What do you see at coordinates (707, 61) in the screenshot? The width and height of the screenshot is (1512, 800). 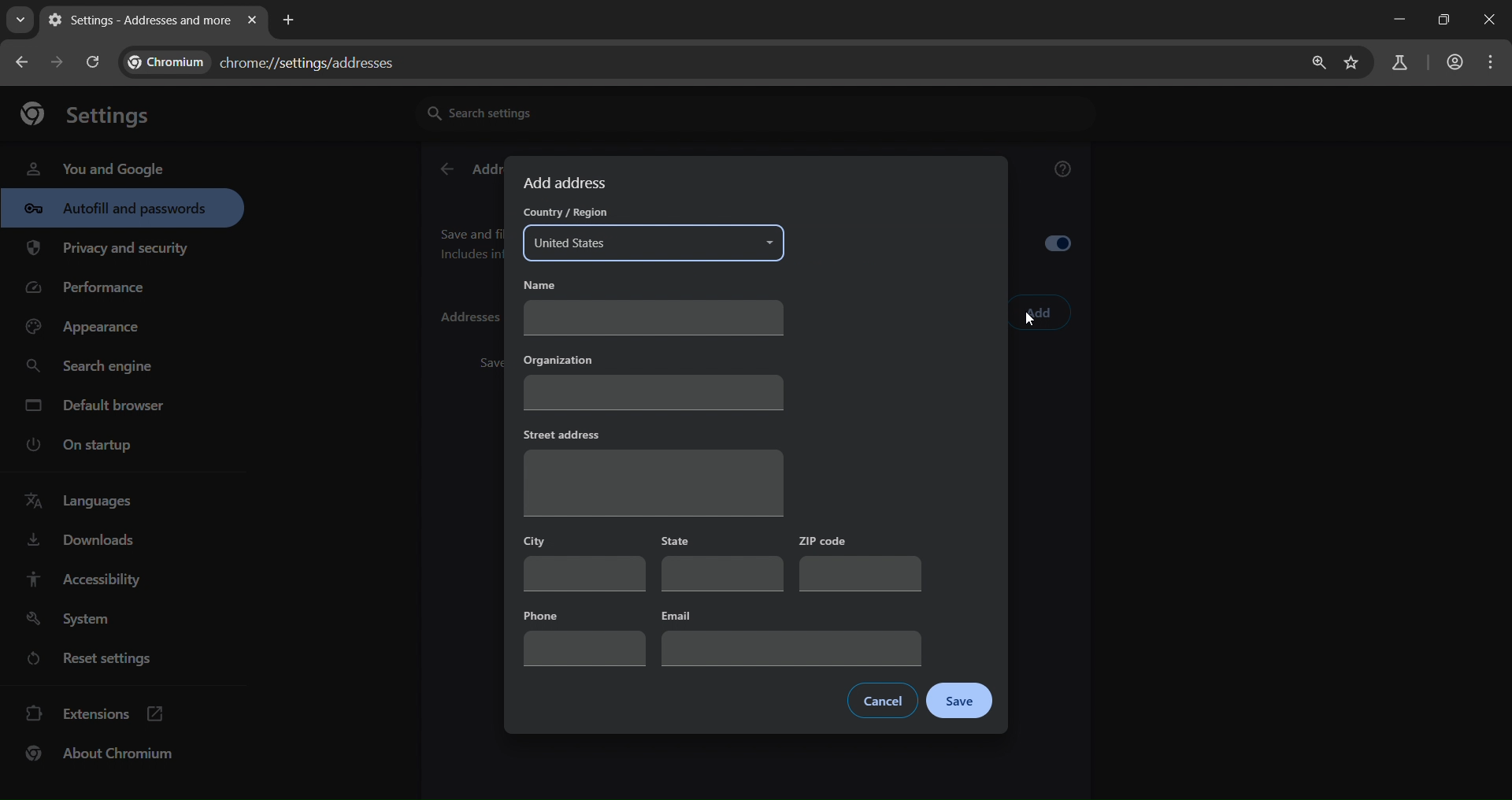 I see `chrome://settings/addresses` at bounding box center [707, 61].